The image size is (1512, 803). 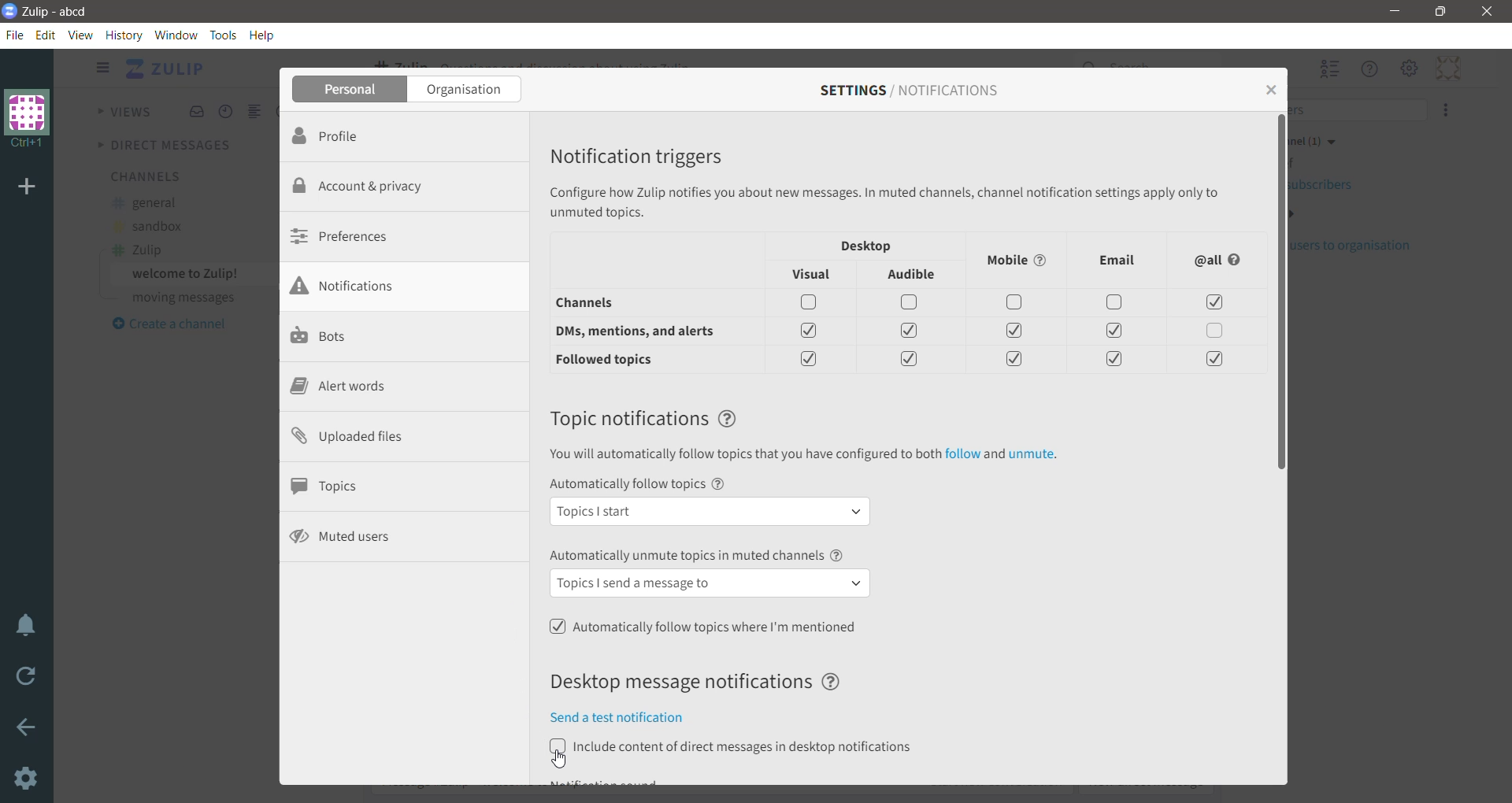 What do you see at coordinates (615, 361) in the screenshot?
I see `Followed topics` at bounding box center [615, 361].